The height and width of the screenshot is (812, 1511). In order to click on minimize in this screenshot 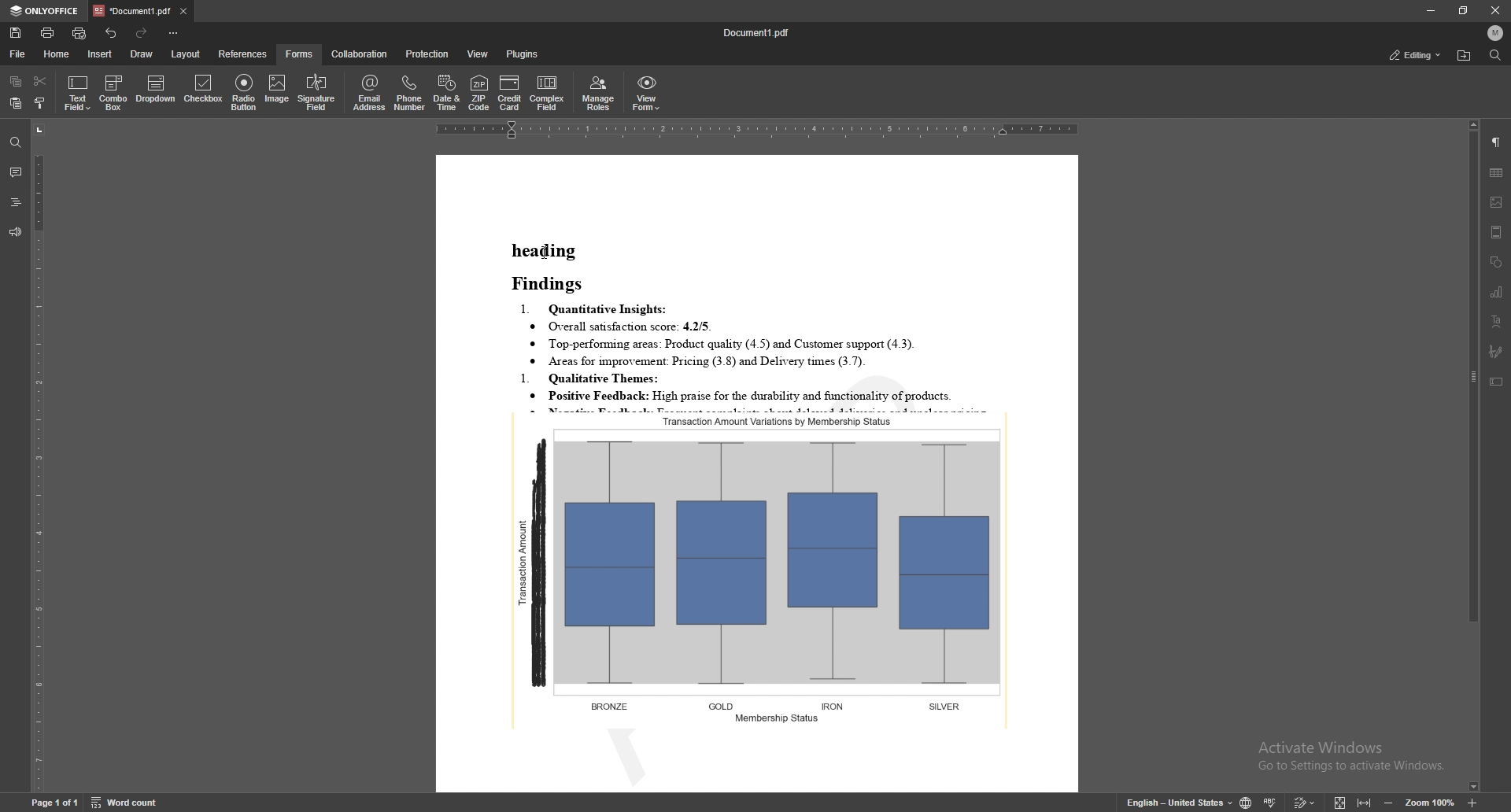, I will do `click(1429, 10)`.